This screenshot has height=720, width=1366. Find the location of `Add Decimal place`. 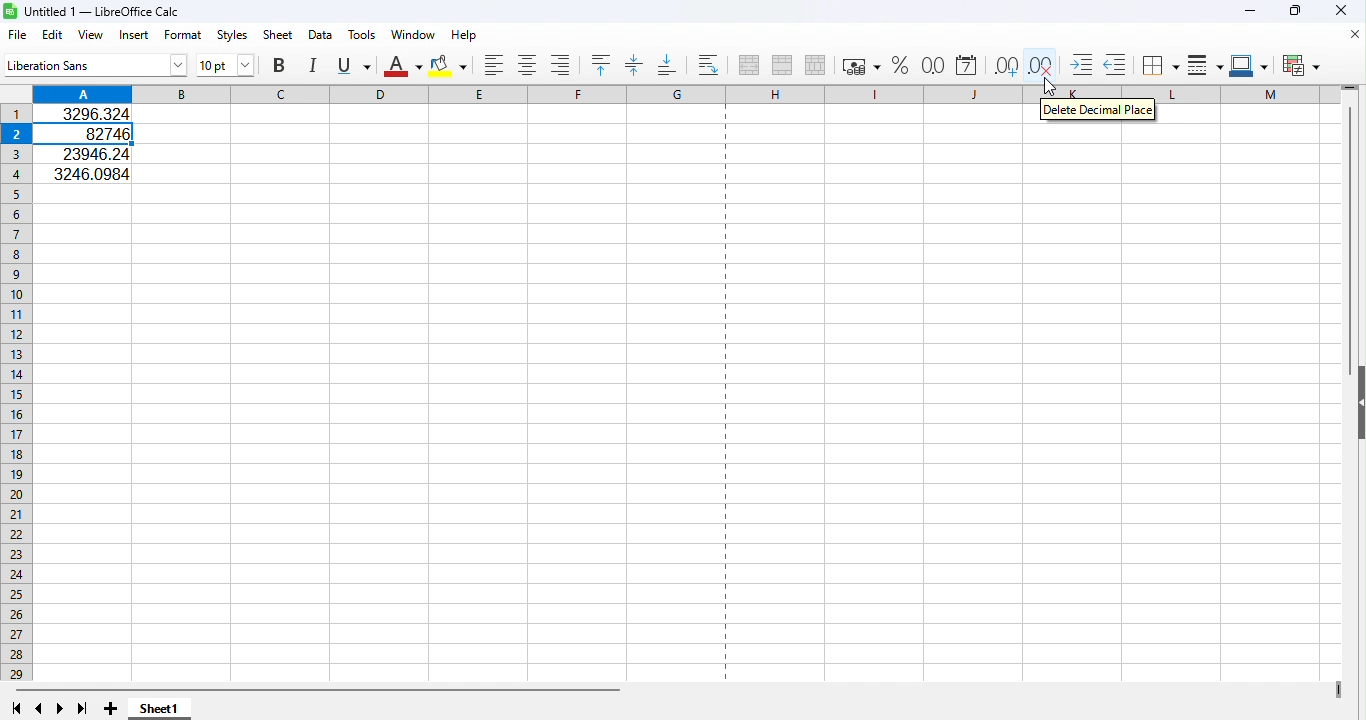

Add Decimal place is located at coordinates (1005, 63).